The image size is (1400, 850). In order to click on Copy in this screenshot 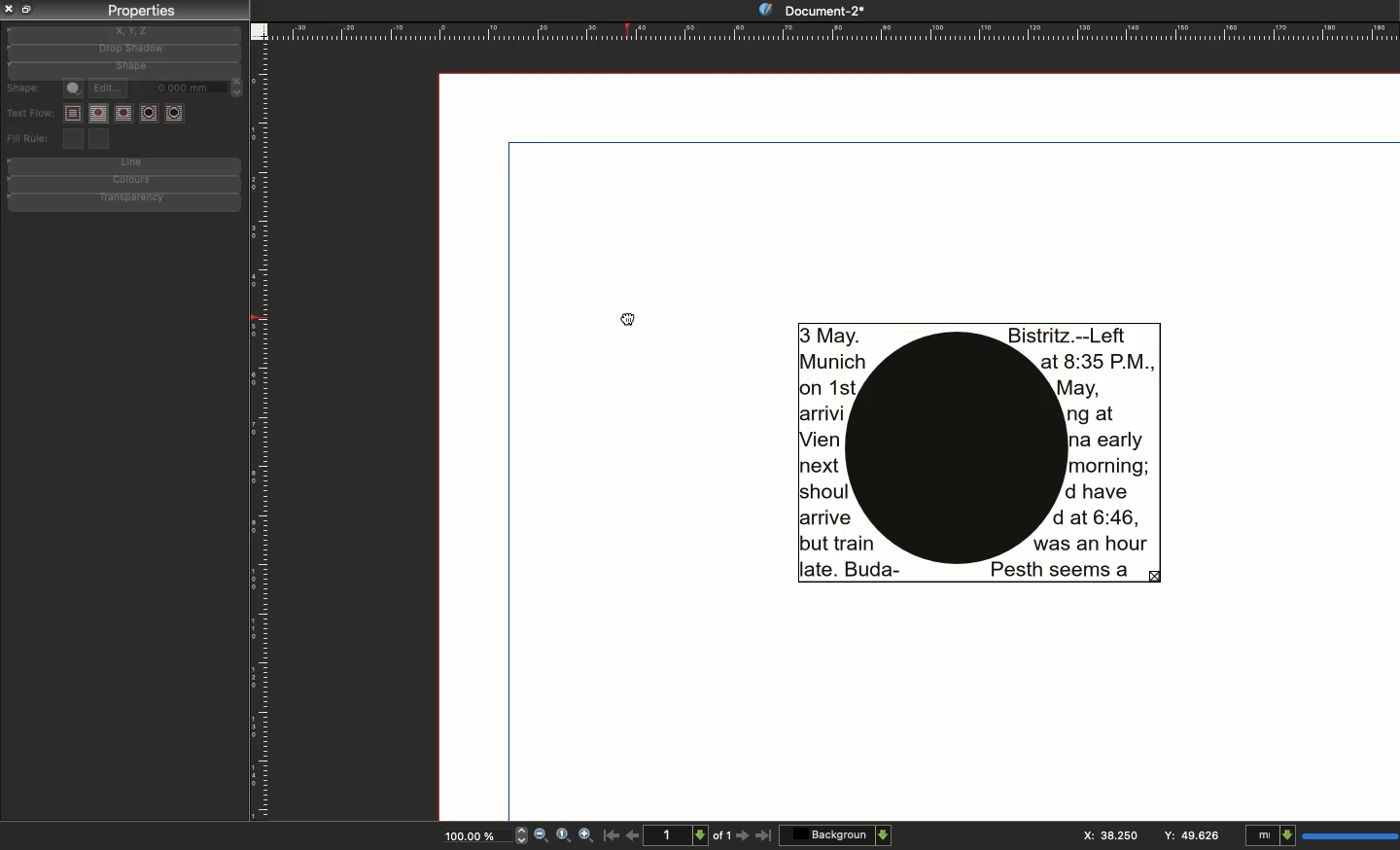, I will do `click(27, 11)`.